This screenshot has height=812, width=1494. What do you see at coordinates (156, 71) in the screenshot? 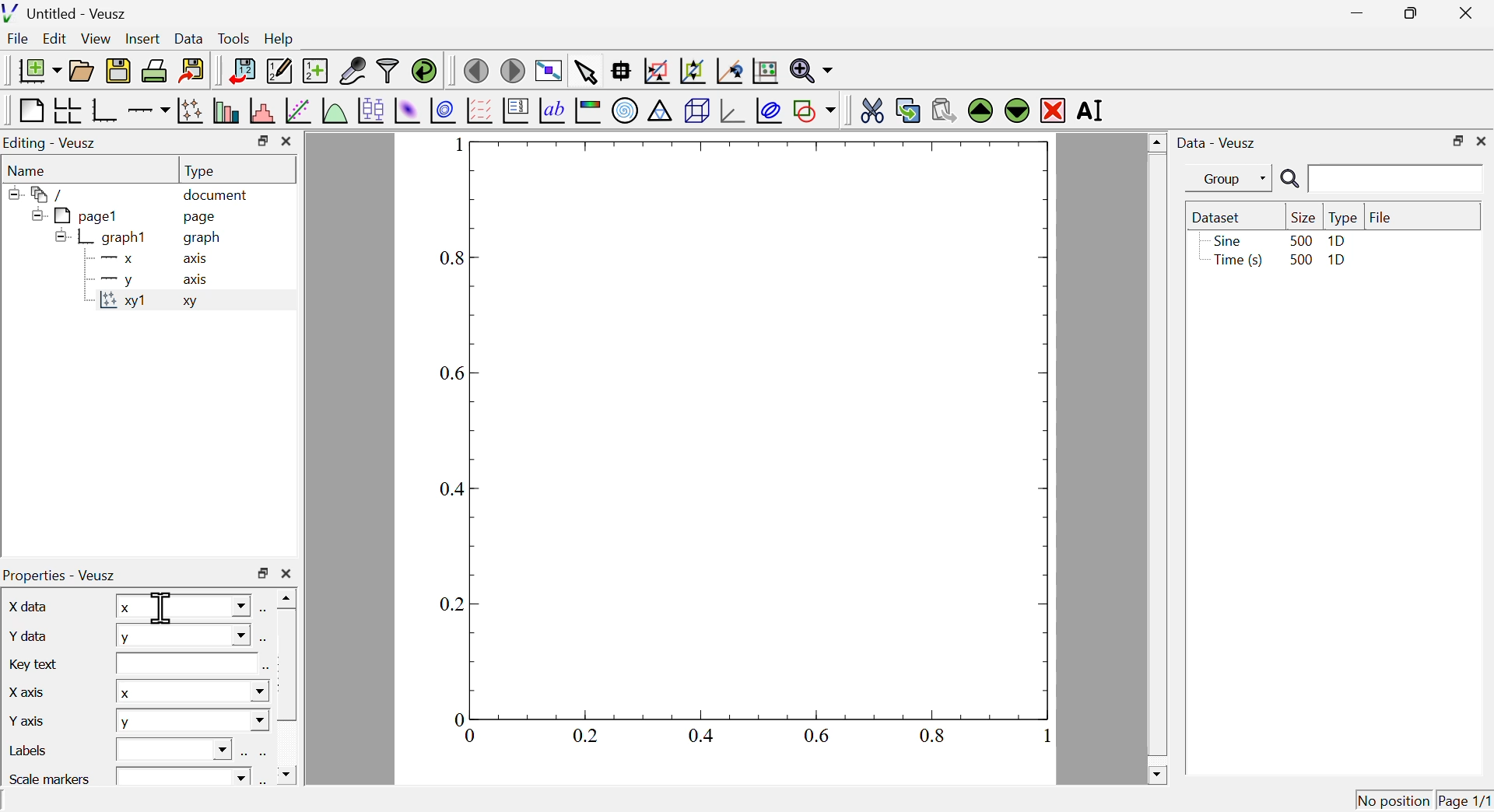
I see `print the document` at bounding box center [156, 71].